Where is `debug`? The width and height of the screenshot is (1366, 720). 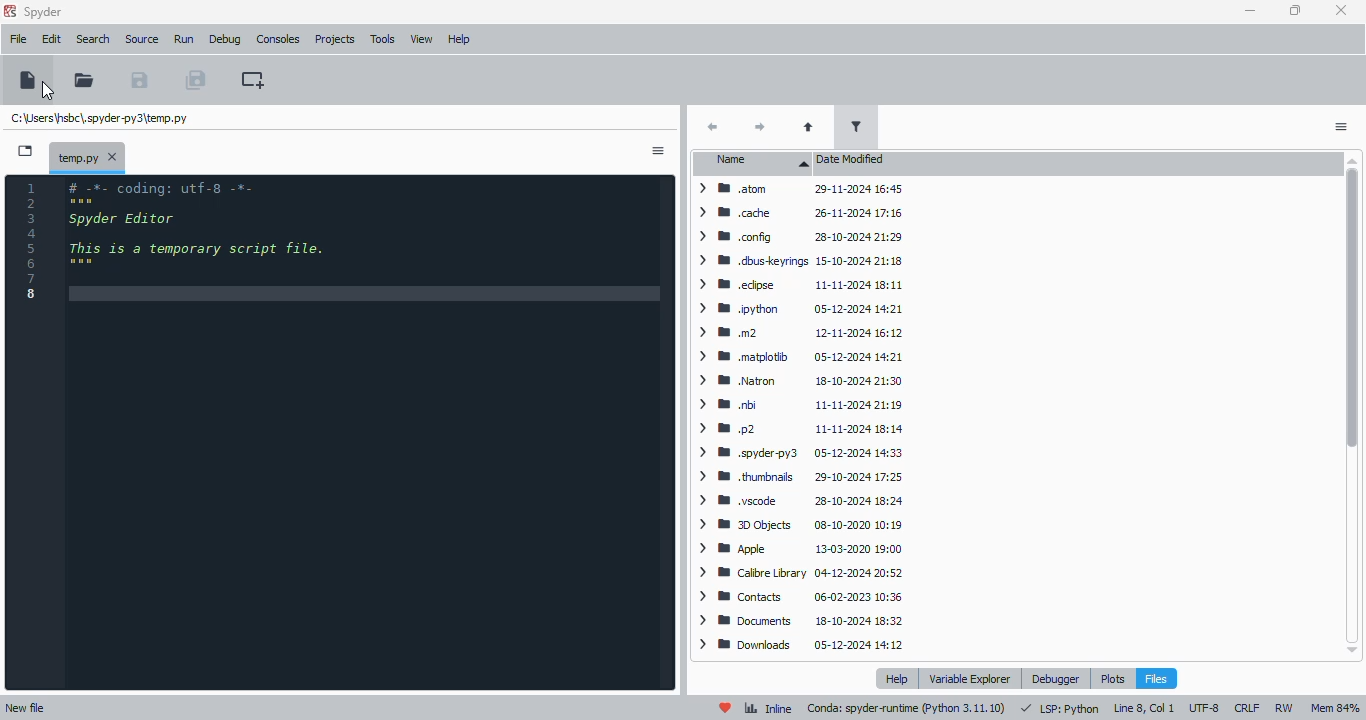 debug is located at coordinates (225, 40).